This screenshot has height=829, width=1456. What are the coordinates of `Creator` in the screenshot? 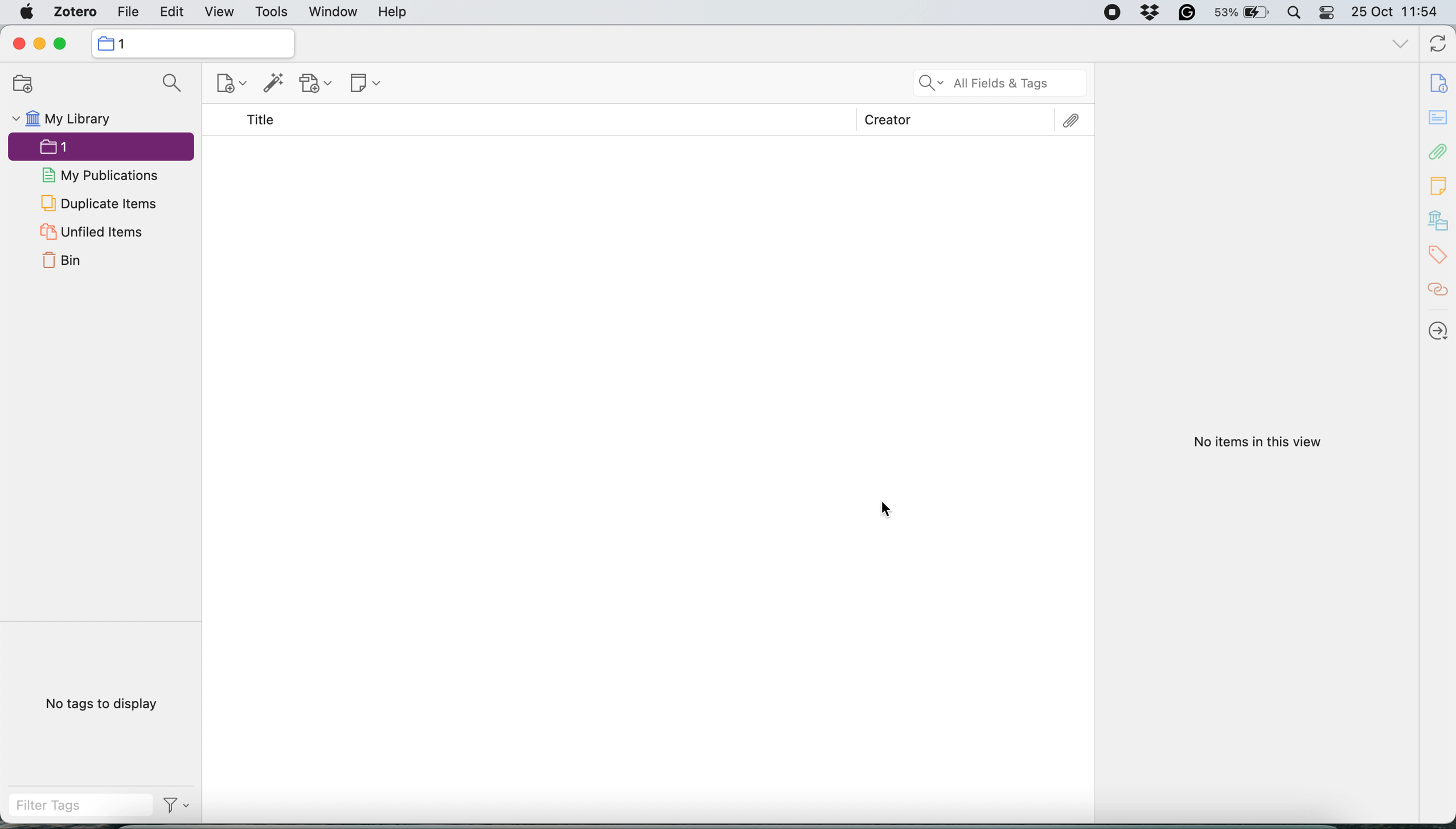 It's located at (896, 119).